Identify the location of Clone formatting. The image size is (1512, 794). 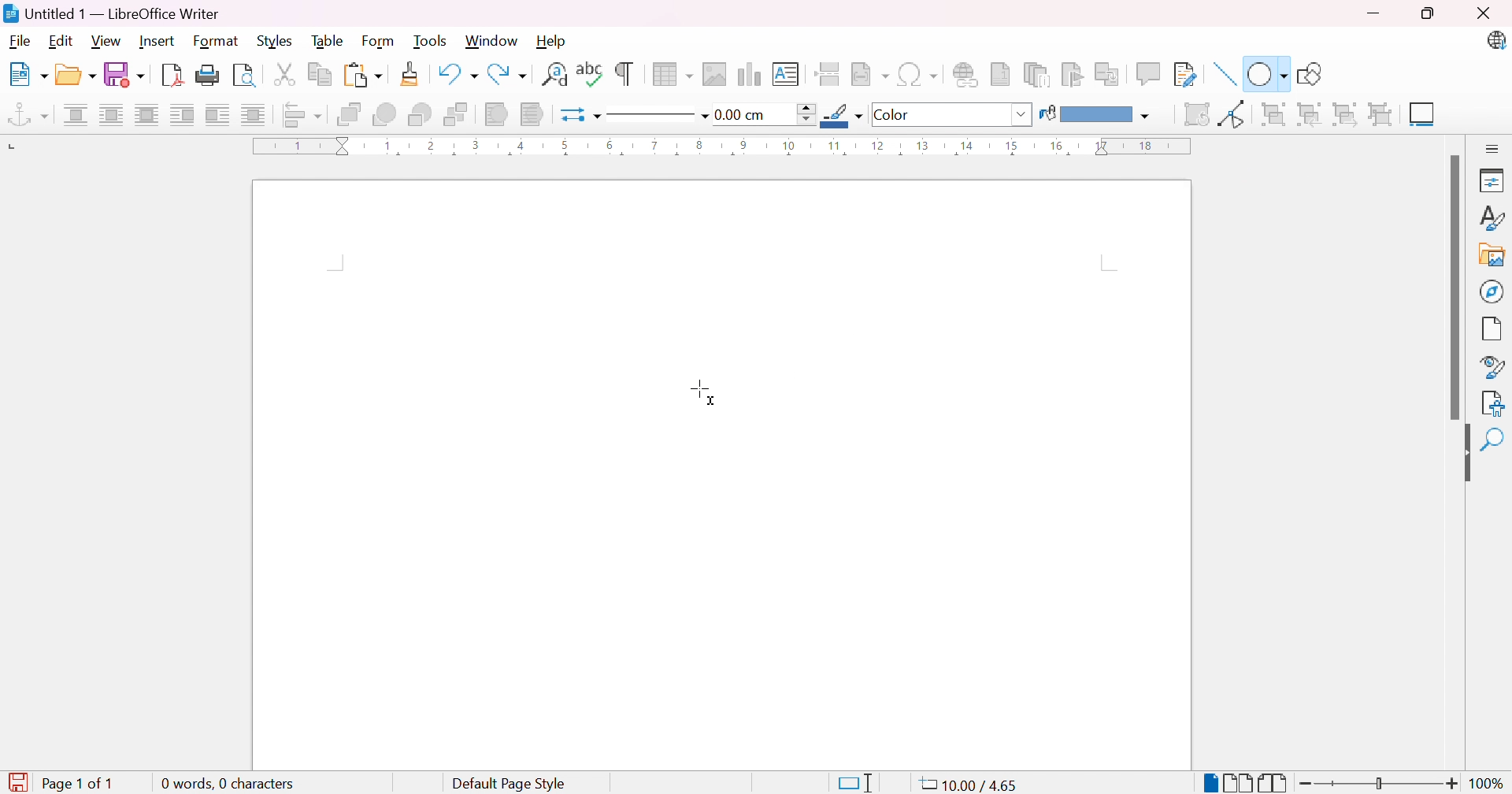
(412, 74).